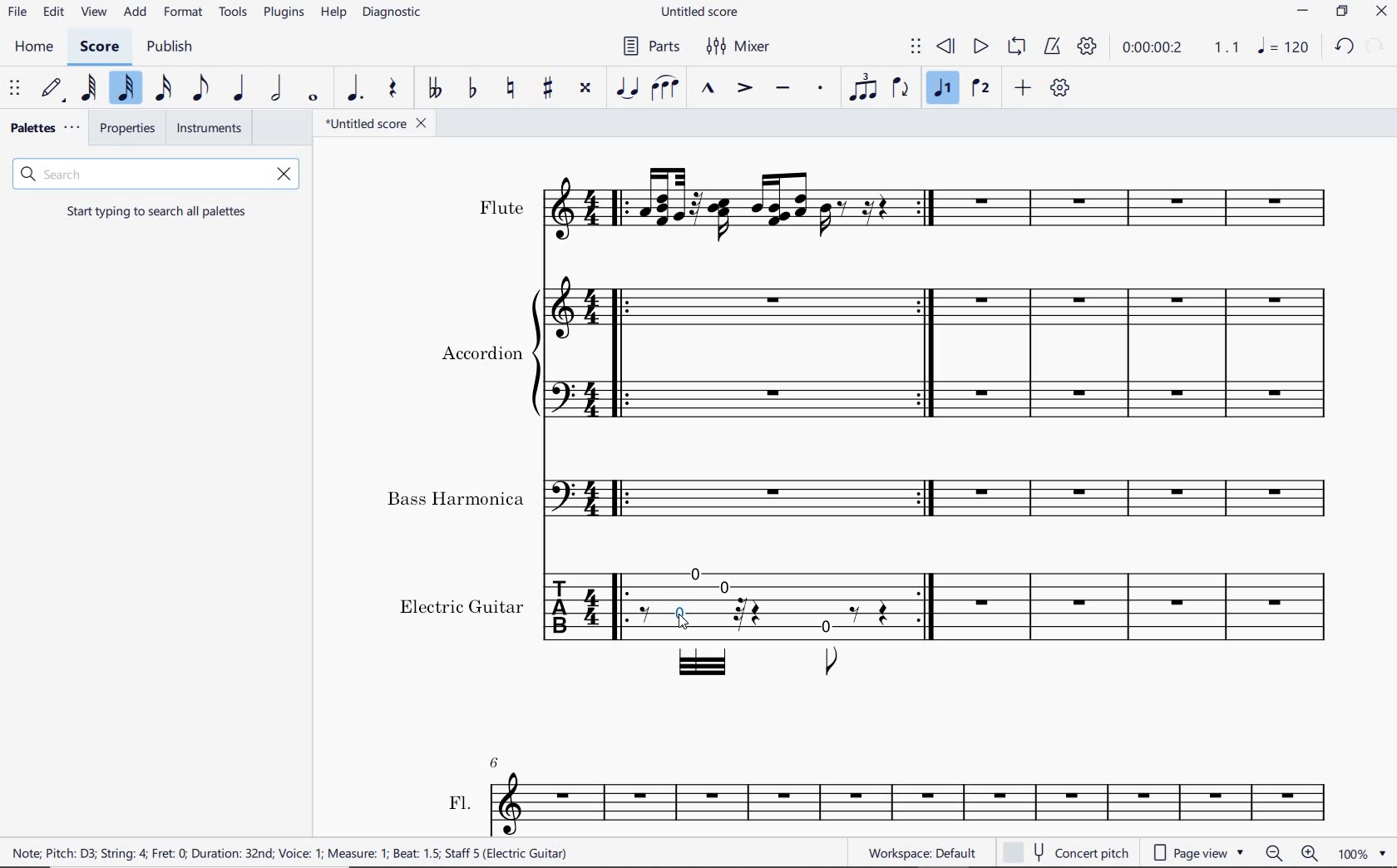 The image size is (1397, 868). What do you see at coordinates (126, 131) in the screenshot?
I see `properties` at bounding box center [126, 131].